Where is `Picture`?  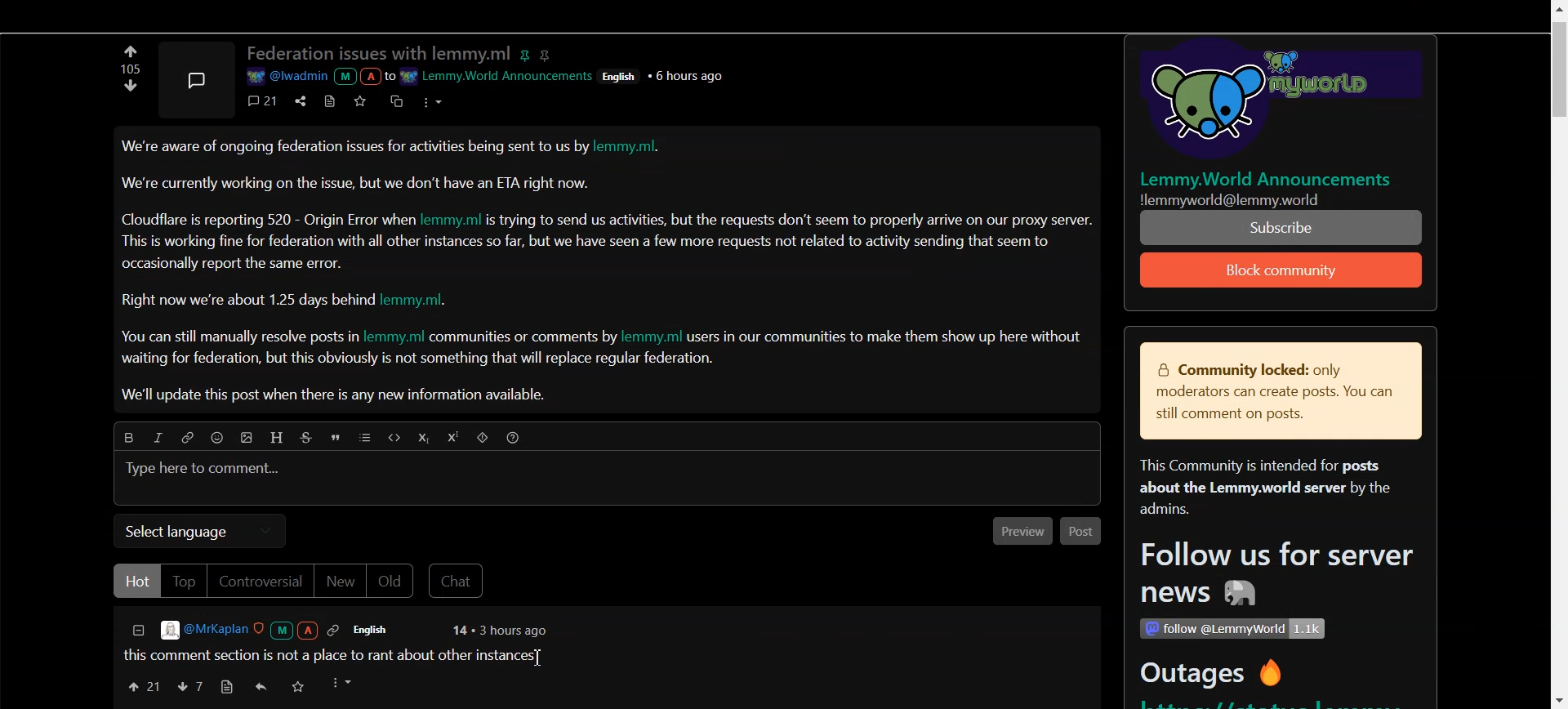 Picture is located at coordinates (195, 77).